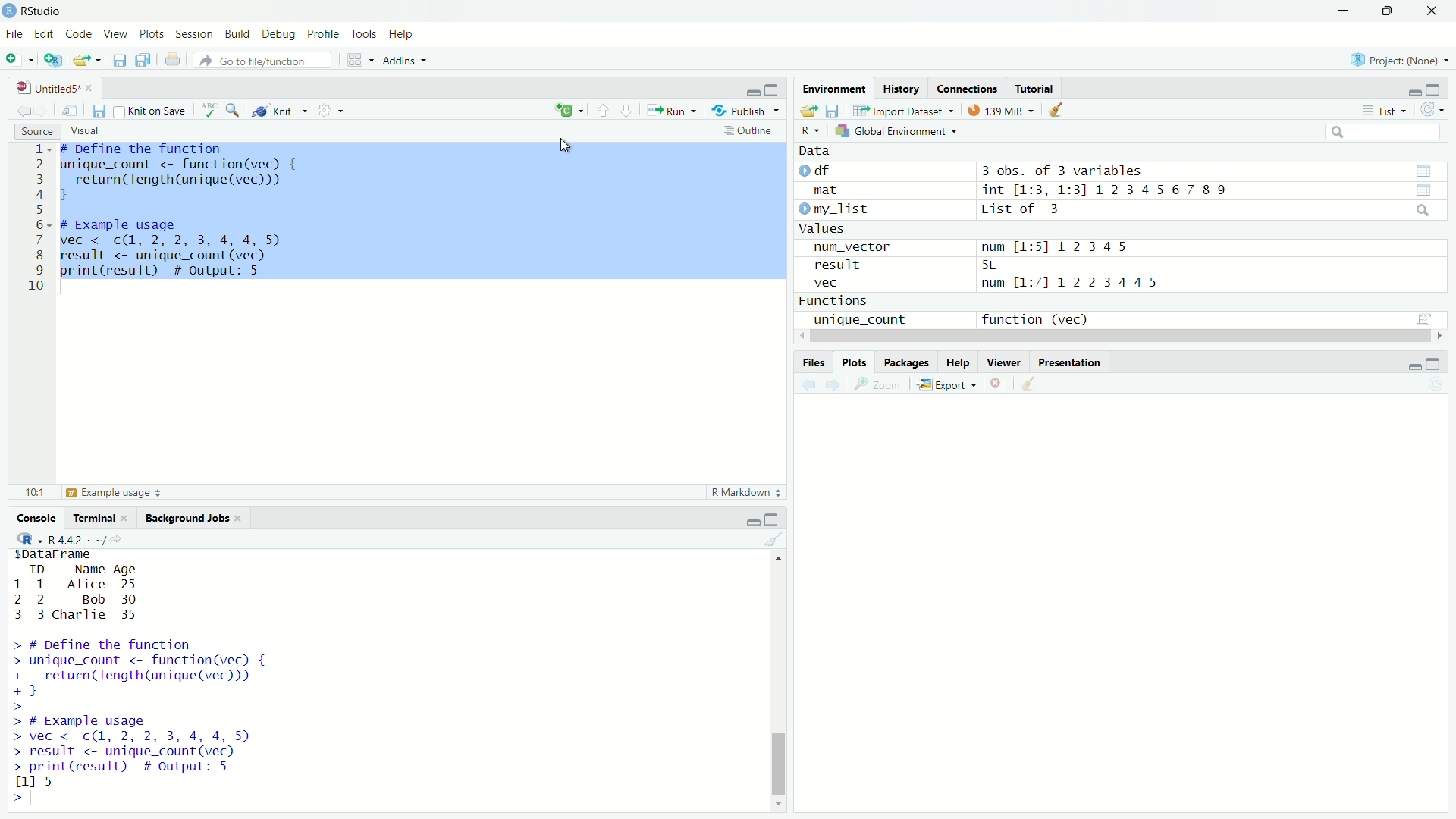  Describe the element at coordinates (1072, 362) in the screenshot. I see `Presentation` at that location.